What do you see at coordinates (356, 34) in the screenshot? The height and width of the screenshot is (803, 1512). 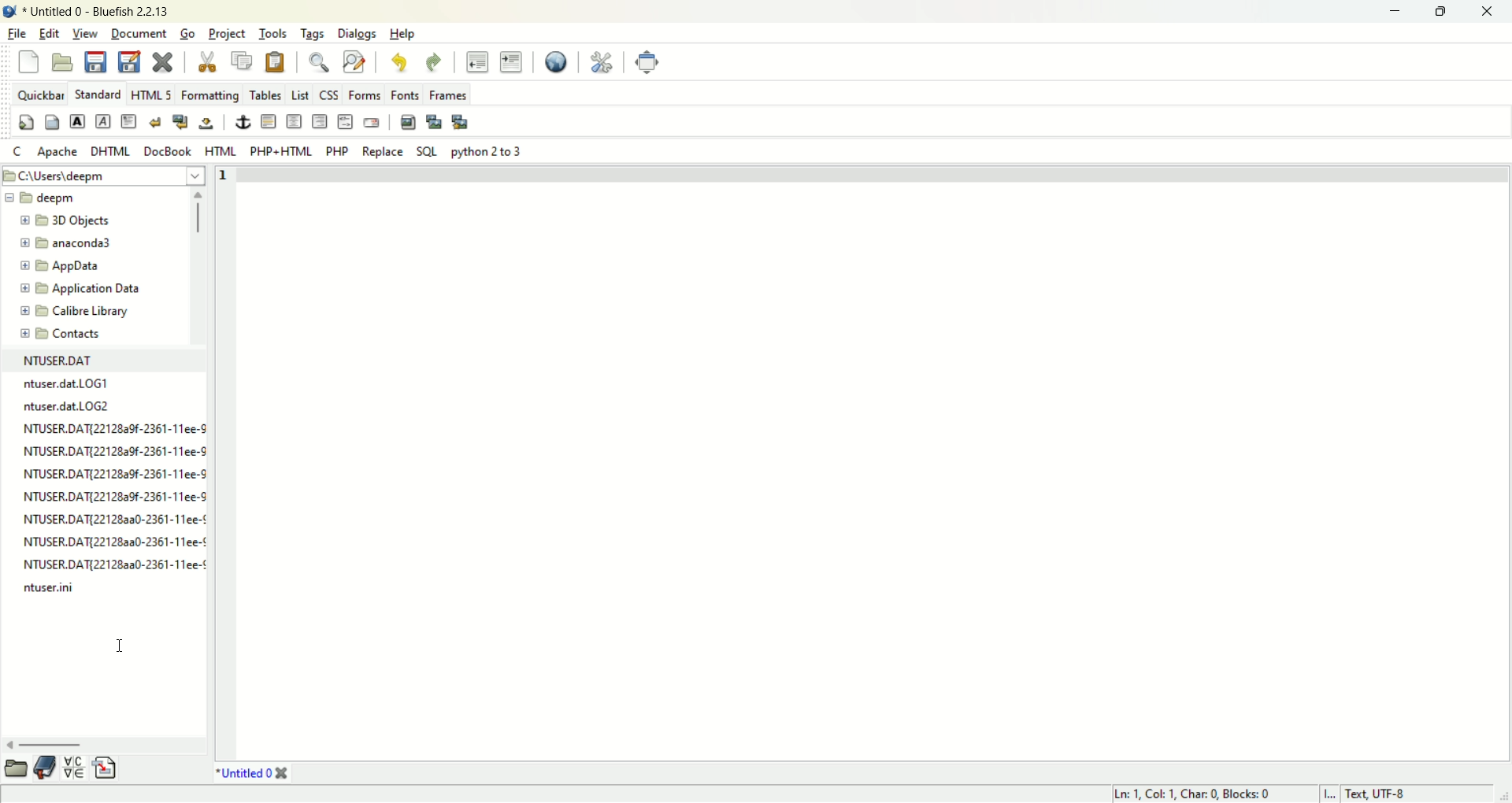 I see `dialogs` at bounding box center [356, 34].